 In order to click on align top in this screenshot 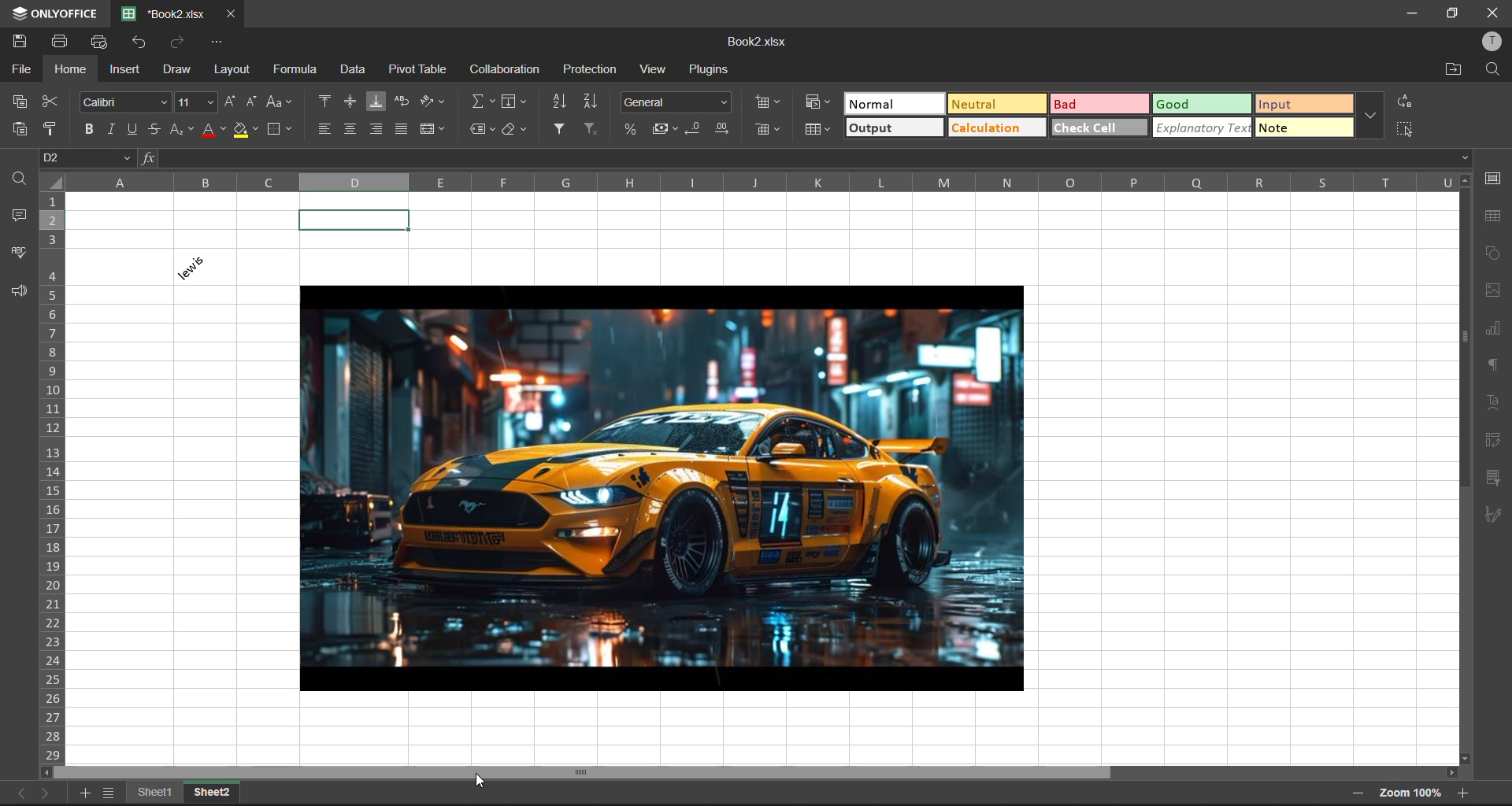, I will do `click(326, 102)`.